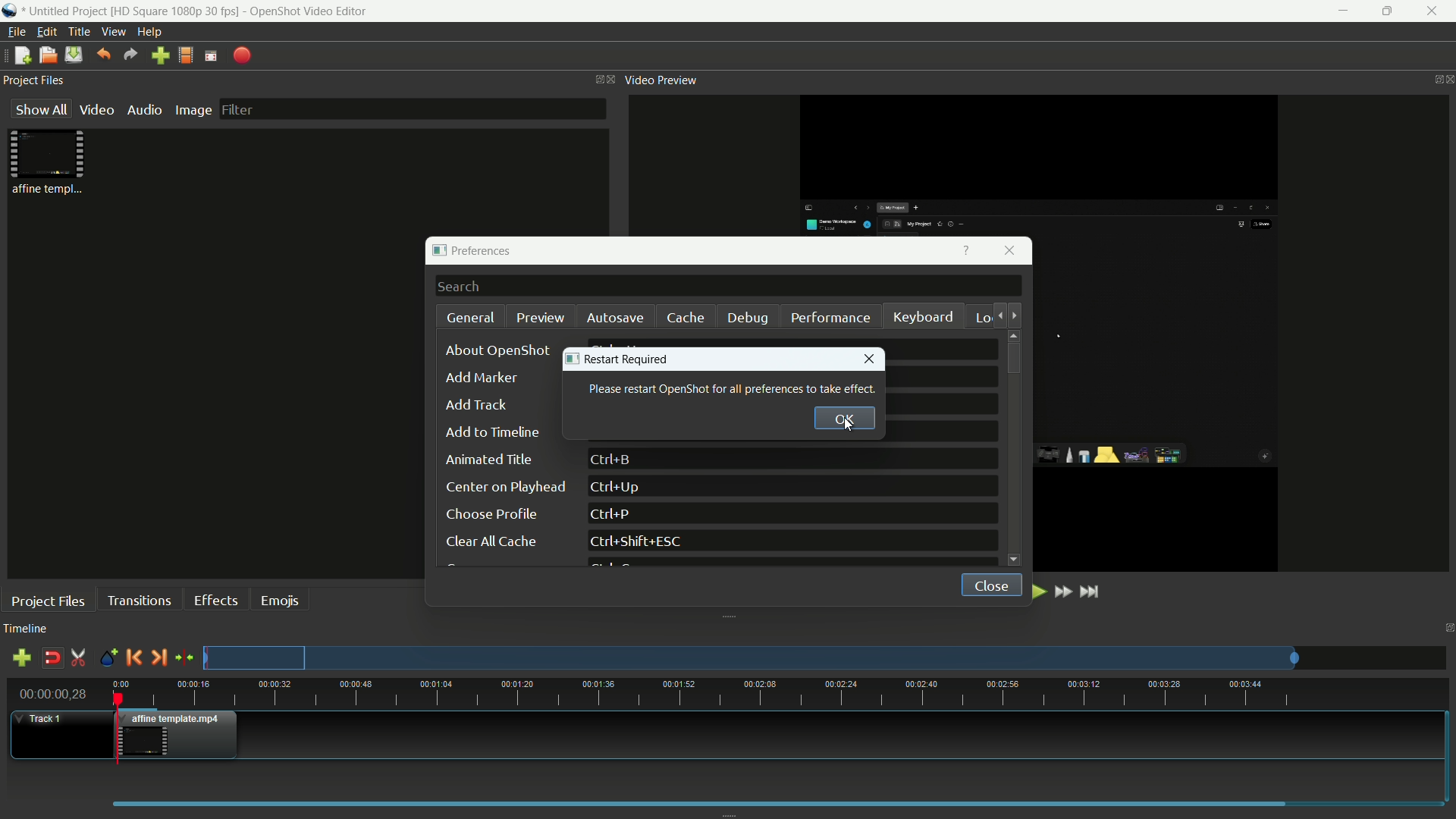 The height and width of the screenshot is (819, 1456). Describe the element at coordinates (502, 350) in the screenshot. I see `about openshot` at that location.